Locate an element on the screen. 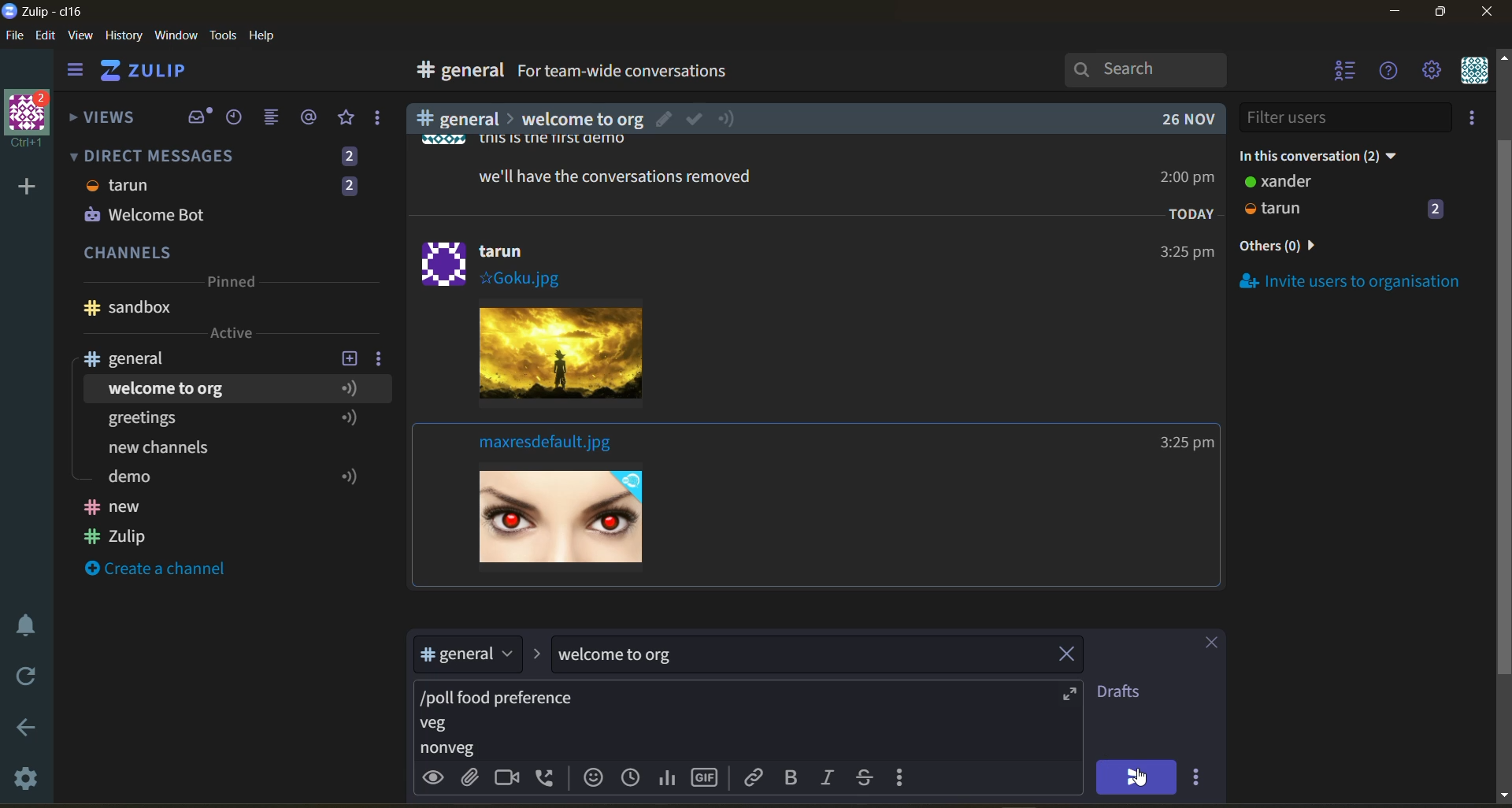   is located at coordinates (1185, 177).